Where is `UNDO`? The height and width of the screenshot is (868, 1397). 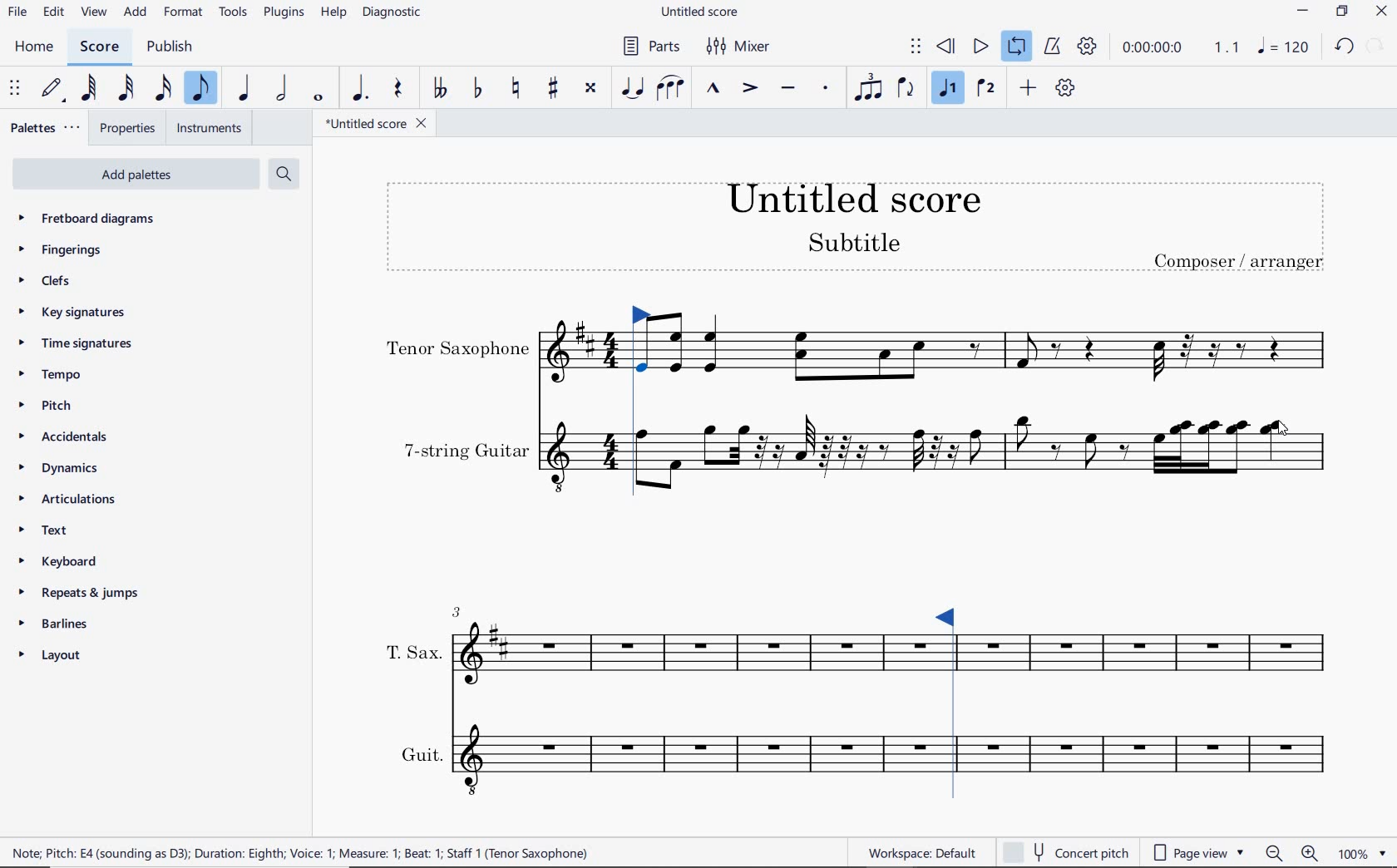
UNDO is located at coordinates (1345, 48).